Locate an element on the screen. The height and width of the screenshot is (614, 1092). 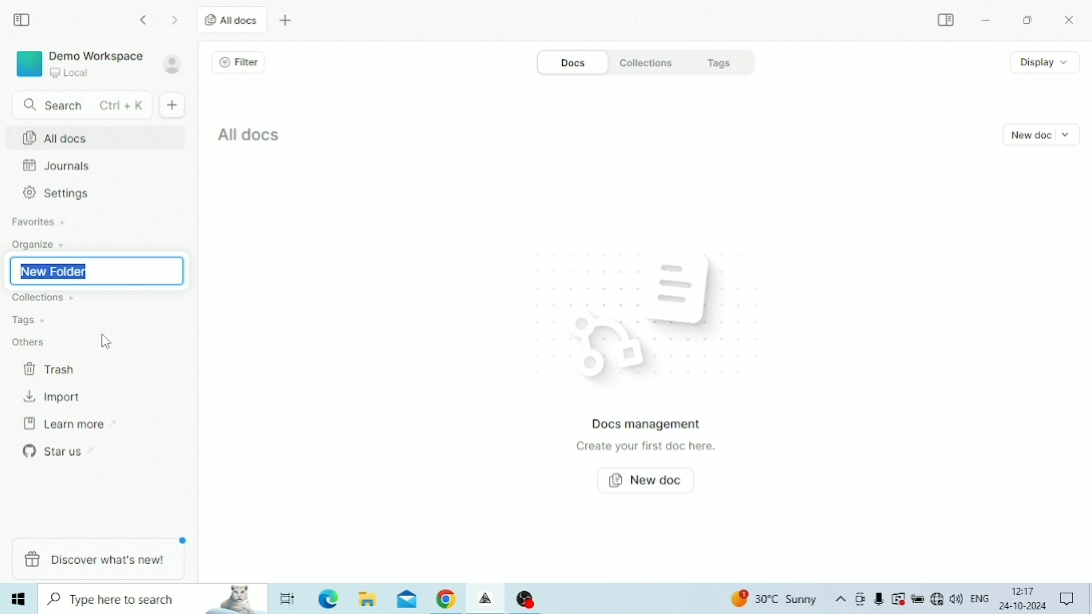
Show hidden icons is located at coordinates (841, 600).